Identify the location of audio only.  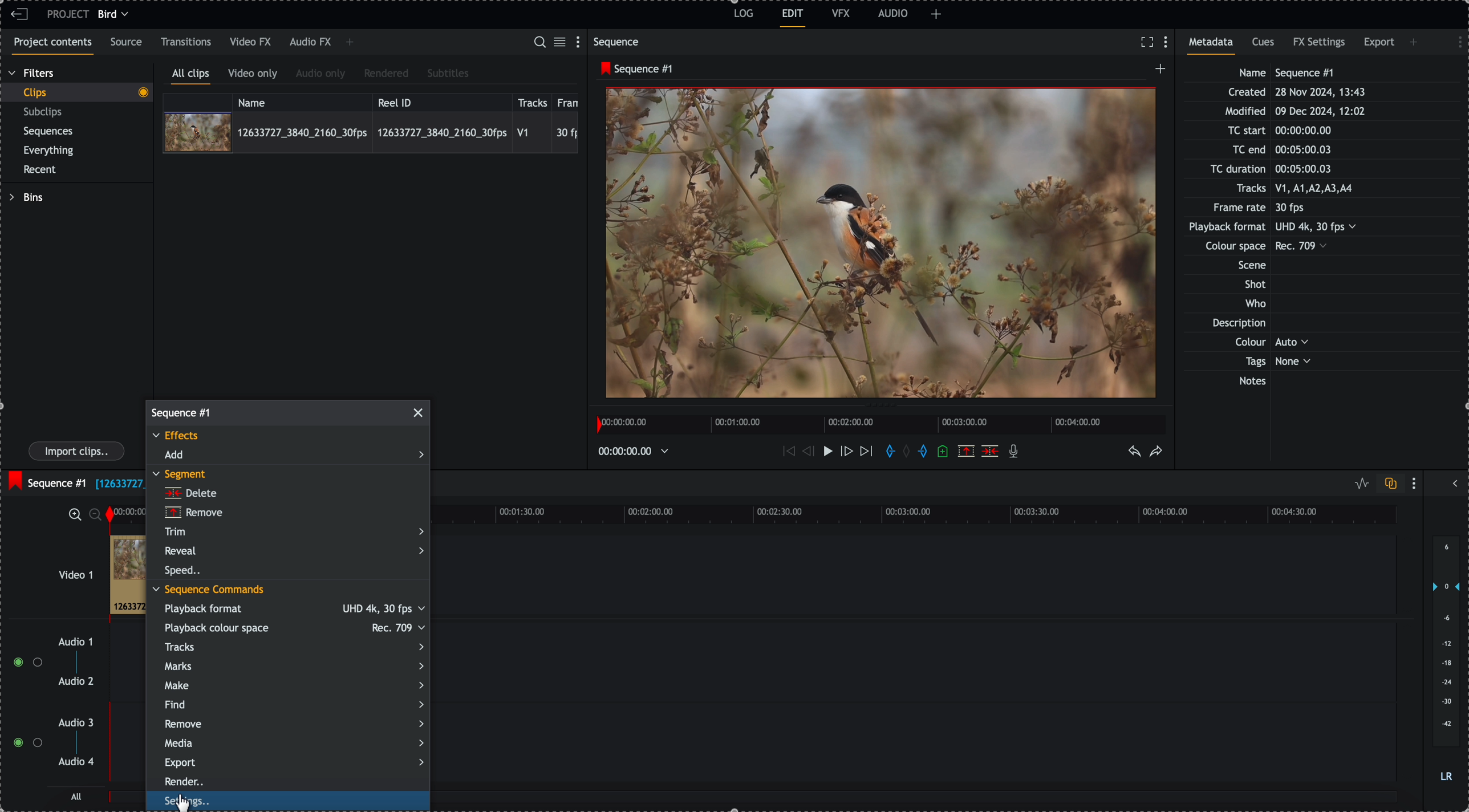
(321, 75).